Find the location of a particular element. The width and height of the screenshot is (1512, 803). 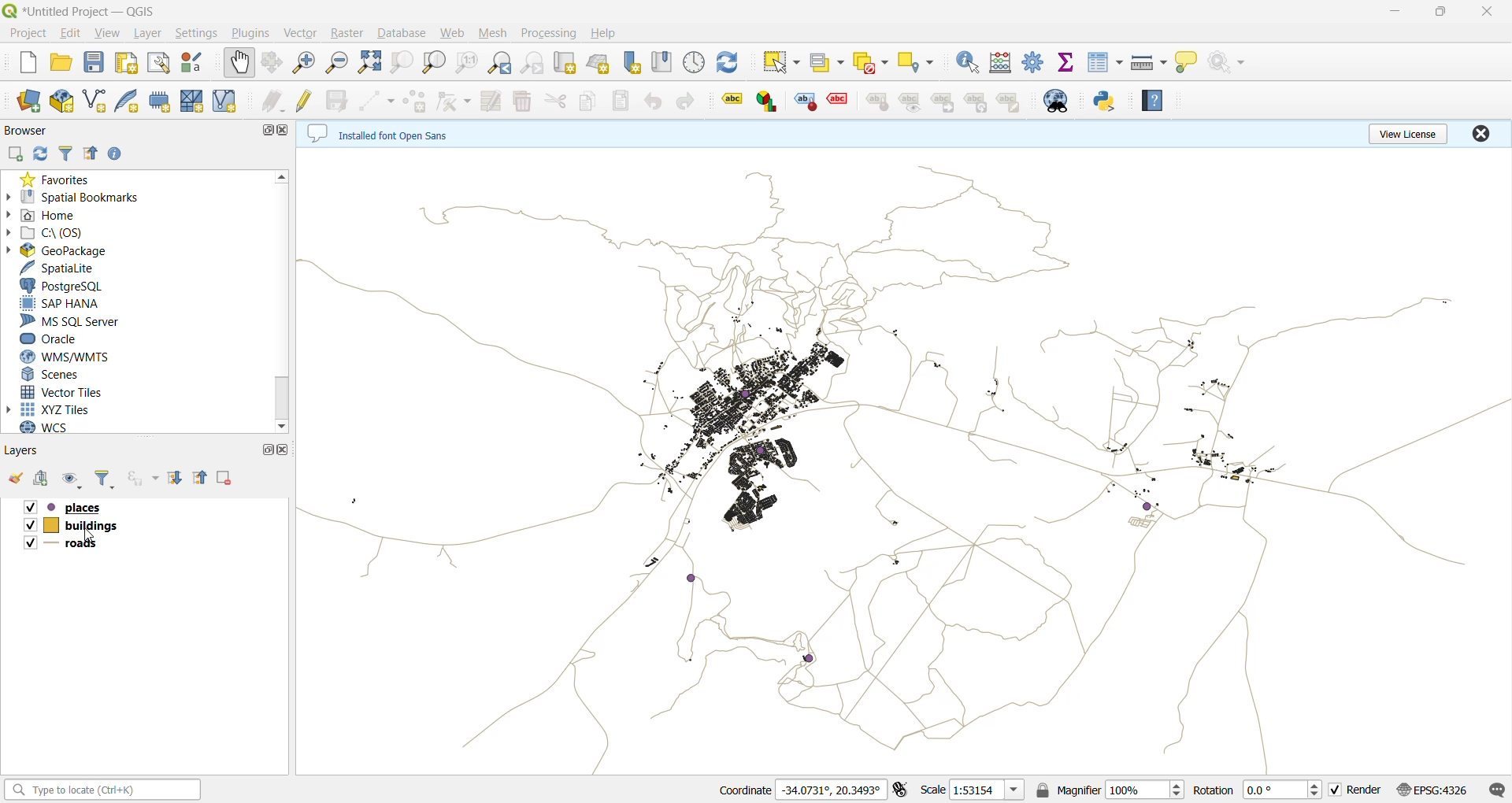

filter is located at coordinates (102, 481).